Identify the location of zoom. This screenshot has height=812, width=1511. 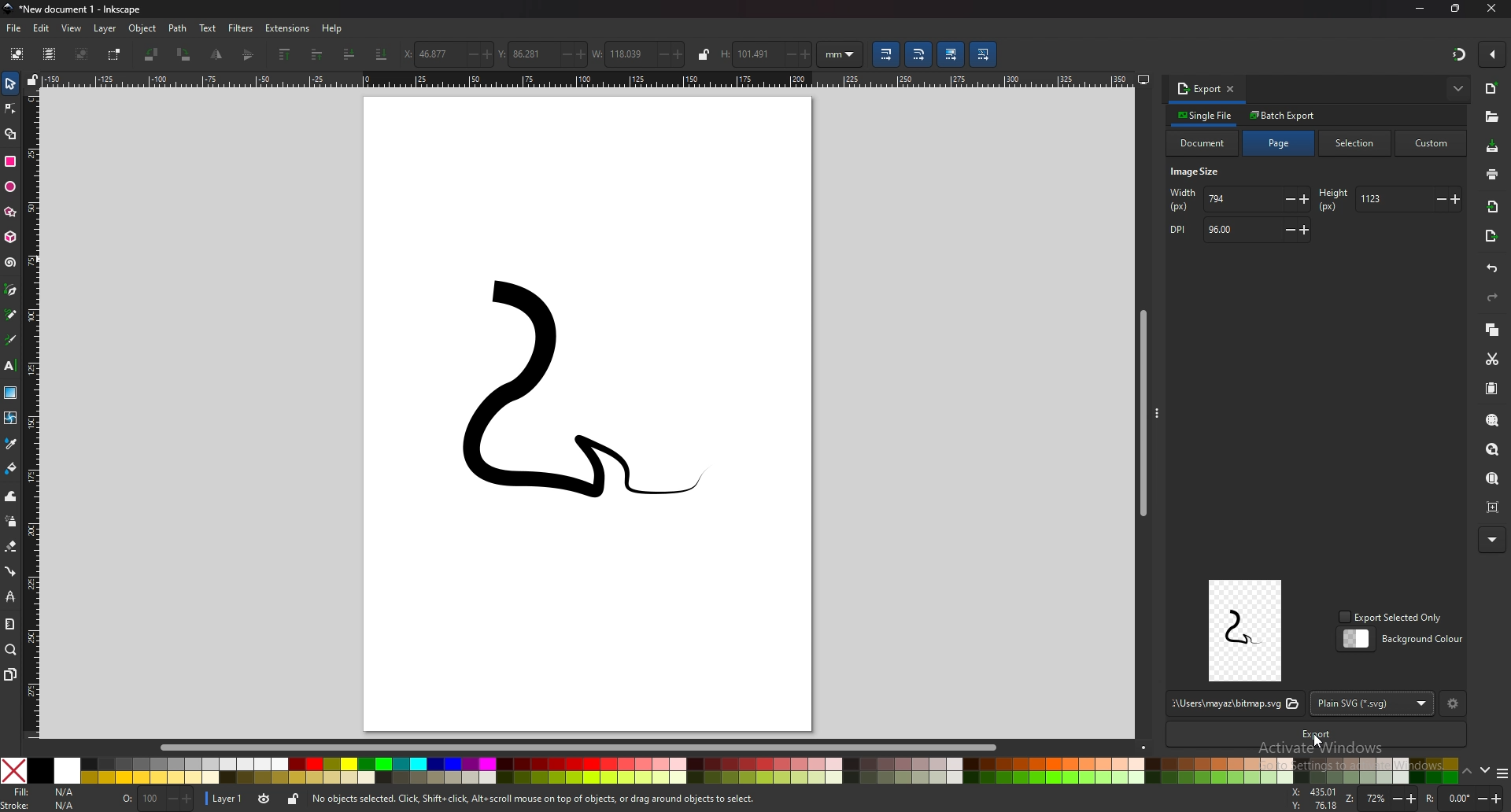
(1380, 799).